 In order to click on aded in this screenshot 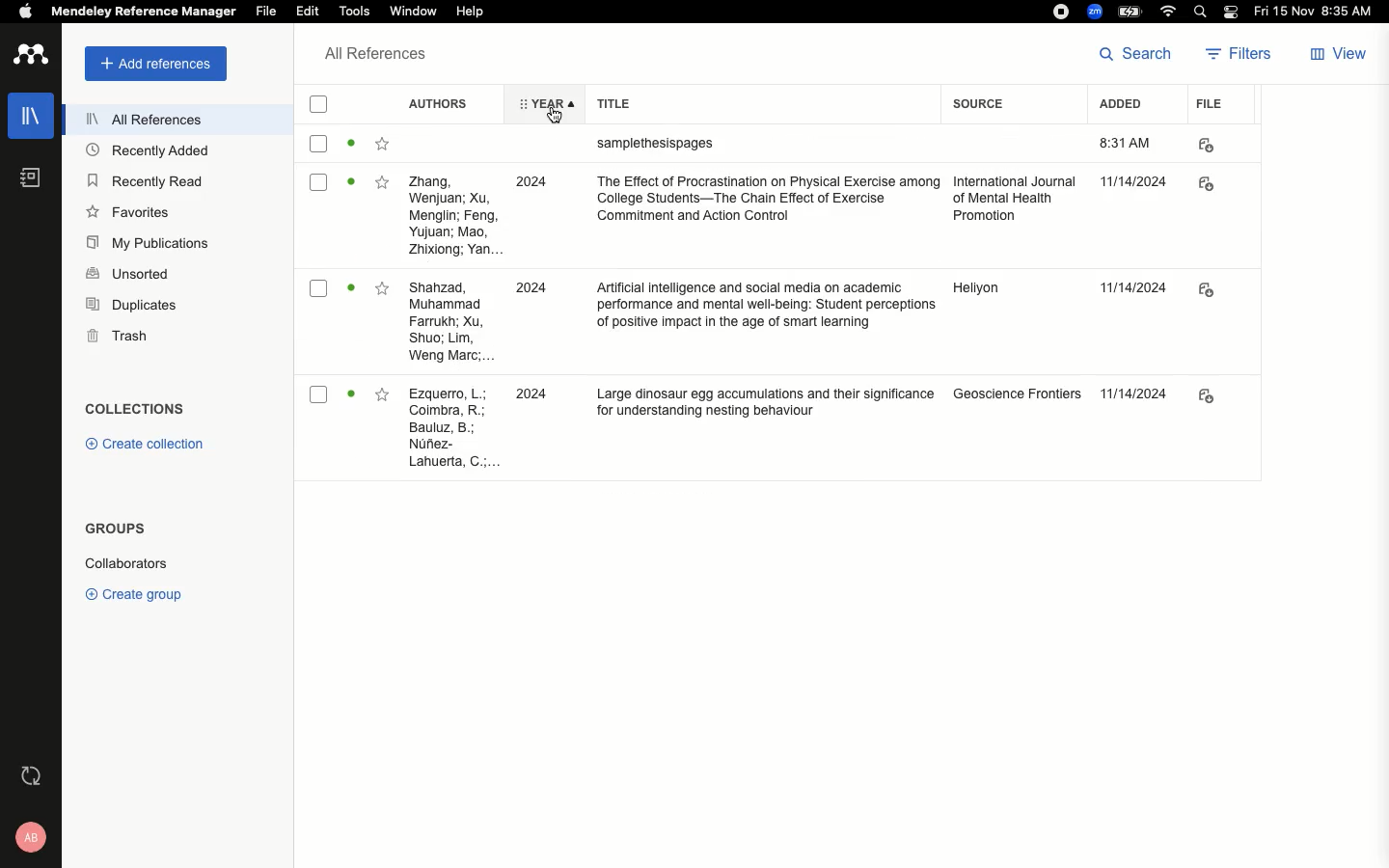, I will do `click(1140, 188)`.